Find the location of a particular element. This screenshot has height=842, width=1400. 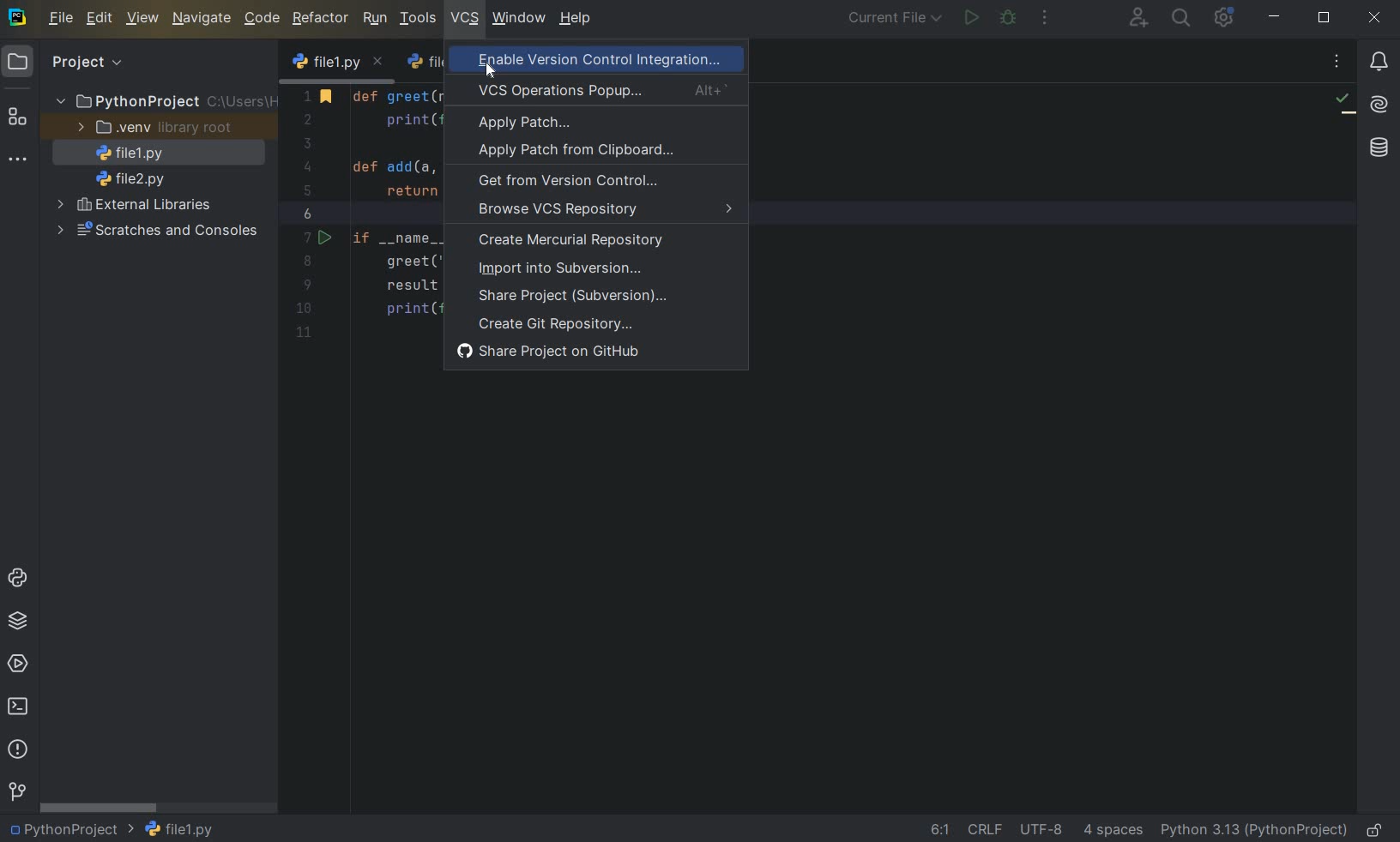

file name 2 is located at coordinates (130, 178).